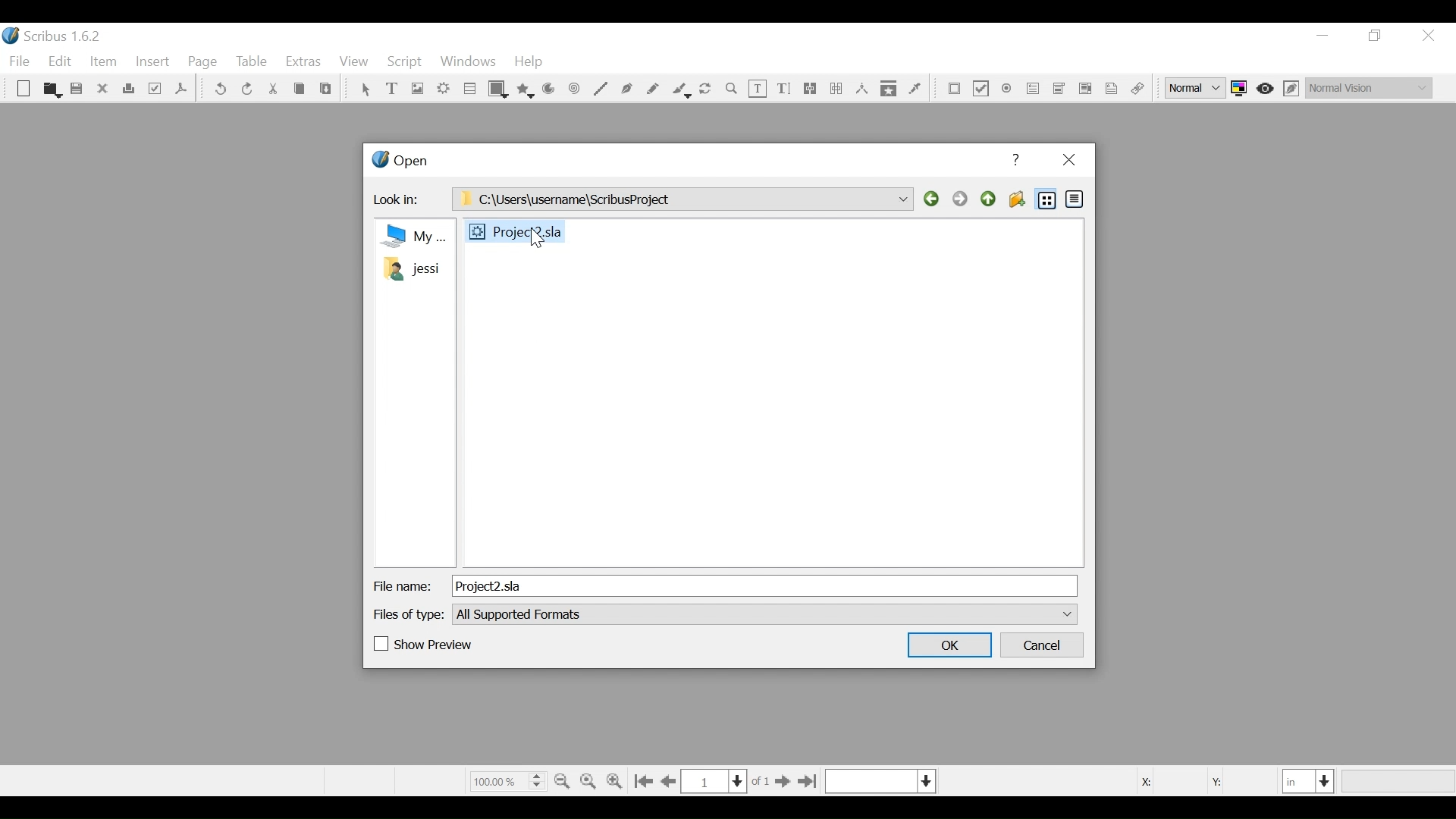 The image size is (1456, 819). Describe the element at coordinates (990, 199) in the screenshot. I see `Parent Directory` at that location.